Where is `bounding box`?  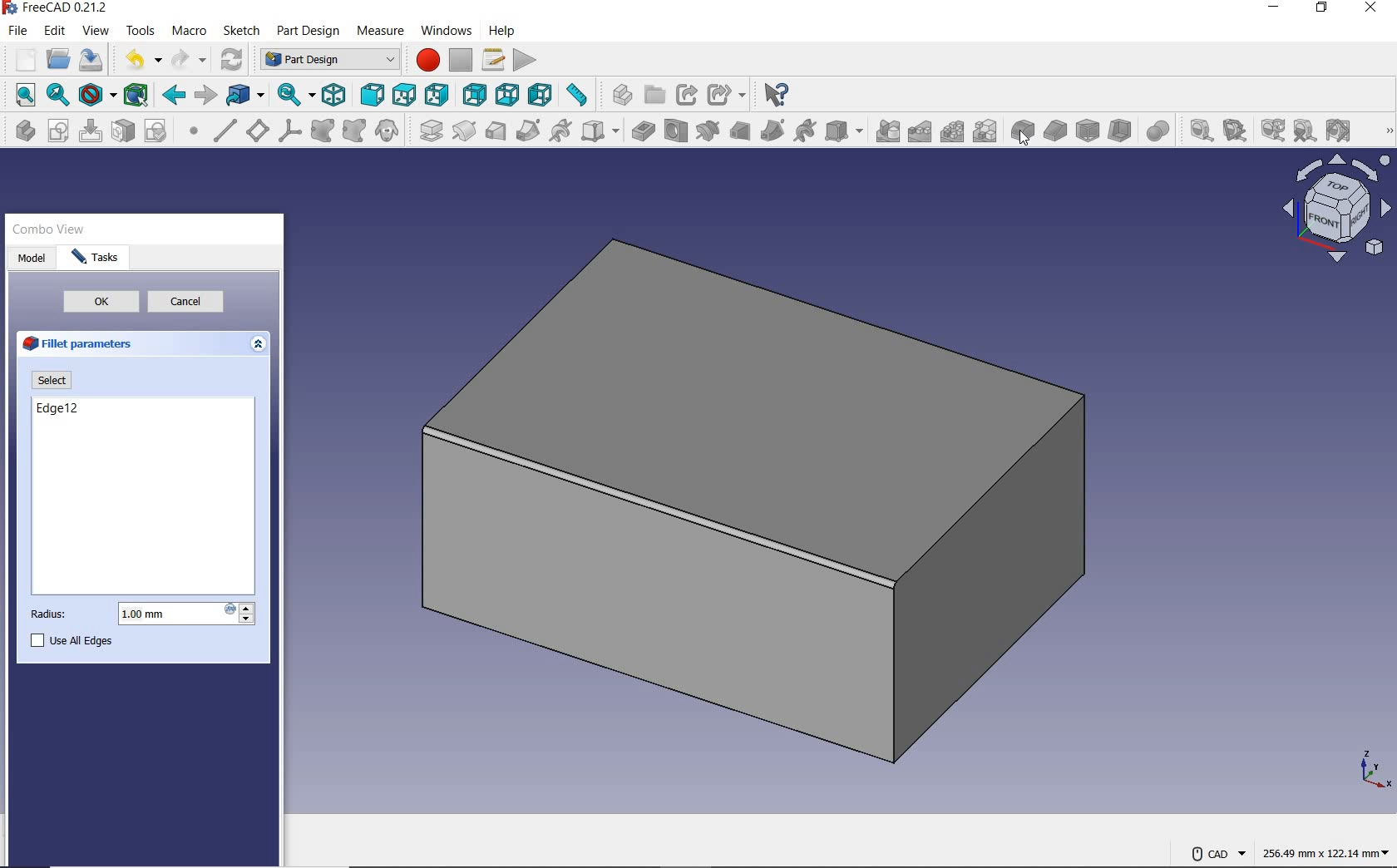
bounding box is located at coordinates (140, 95).